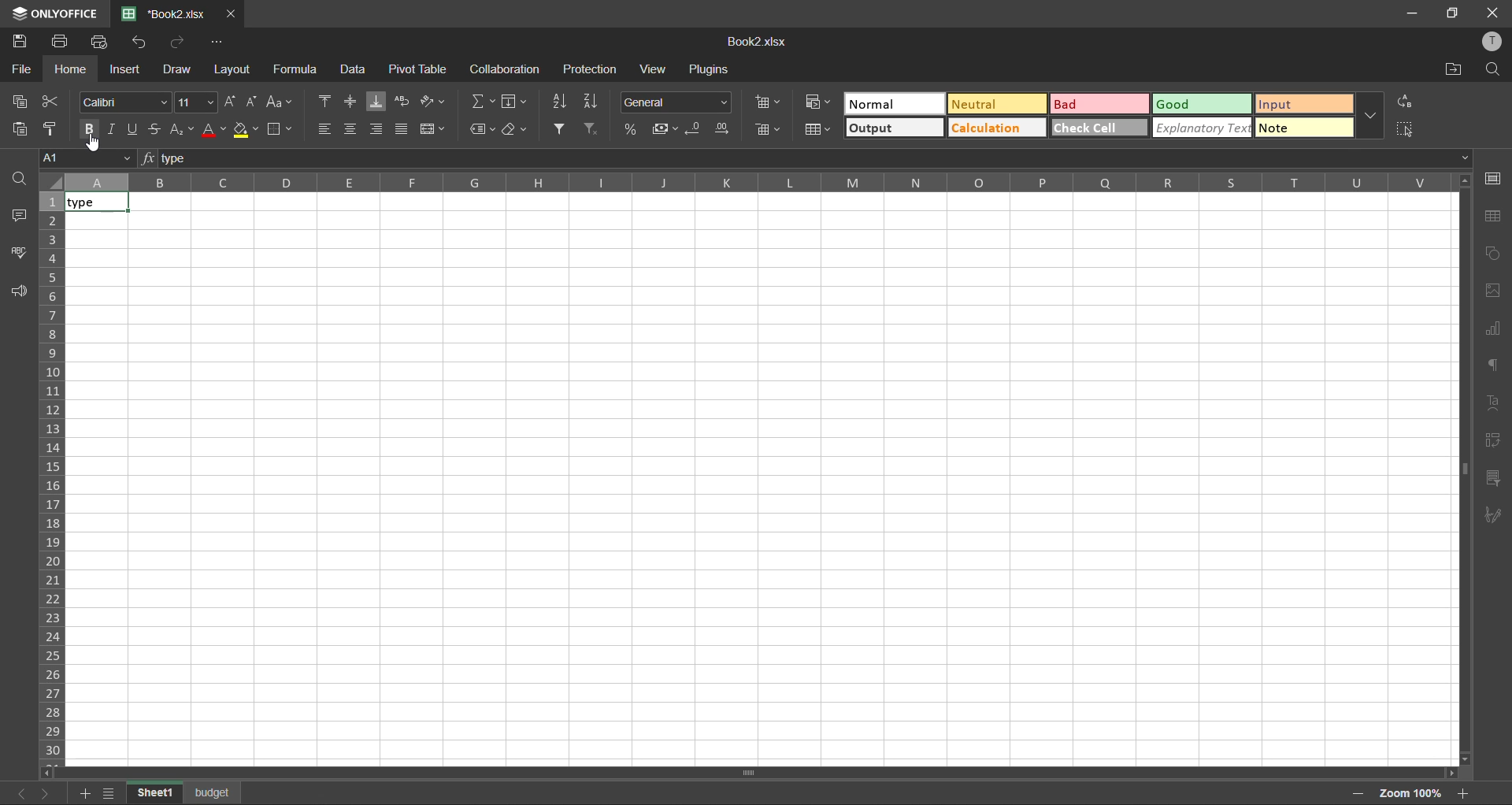 The width and height of the screenshot is (1512, 805). I want to click on view, so click(655, 69).